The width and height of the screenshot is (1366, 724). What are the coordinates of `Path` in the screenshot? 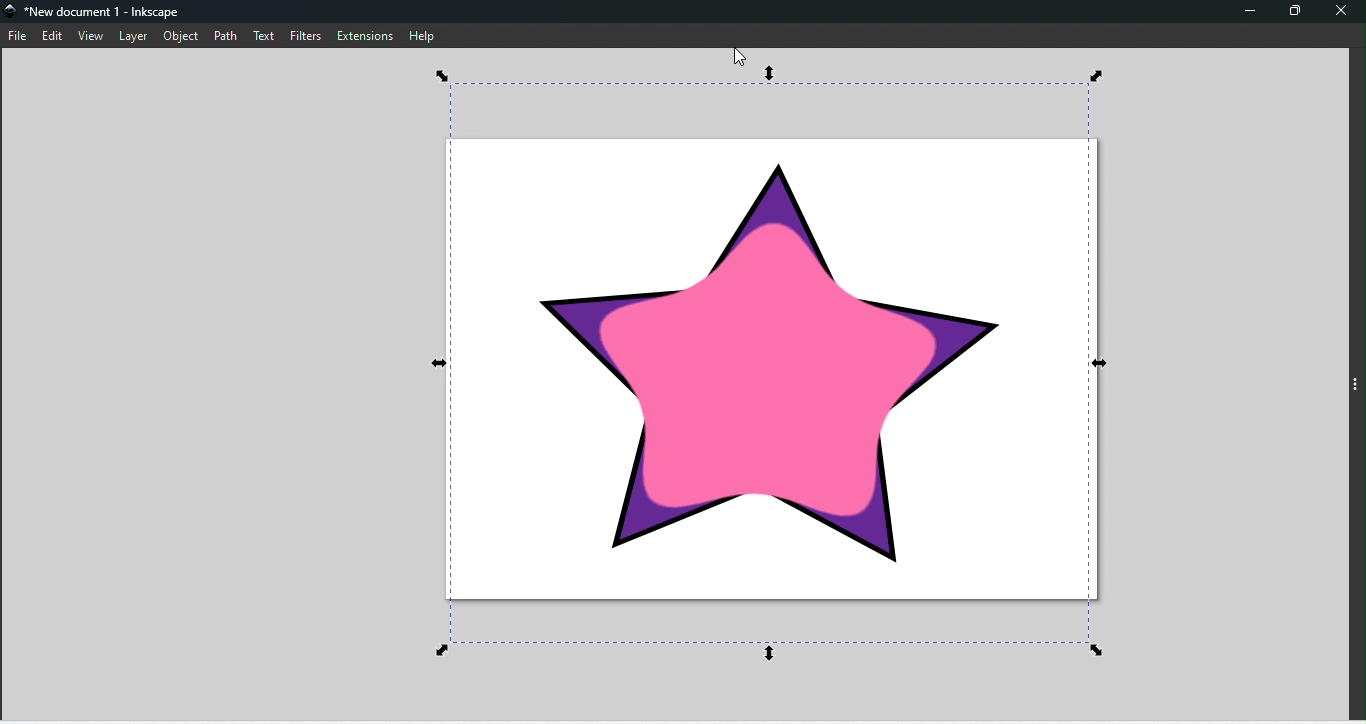 It's located at (231, 36).